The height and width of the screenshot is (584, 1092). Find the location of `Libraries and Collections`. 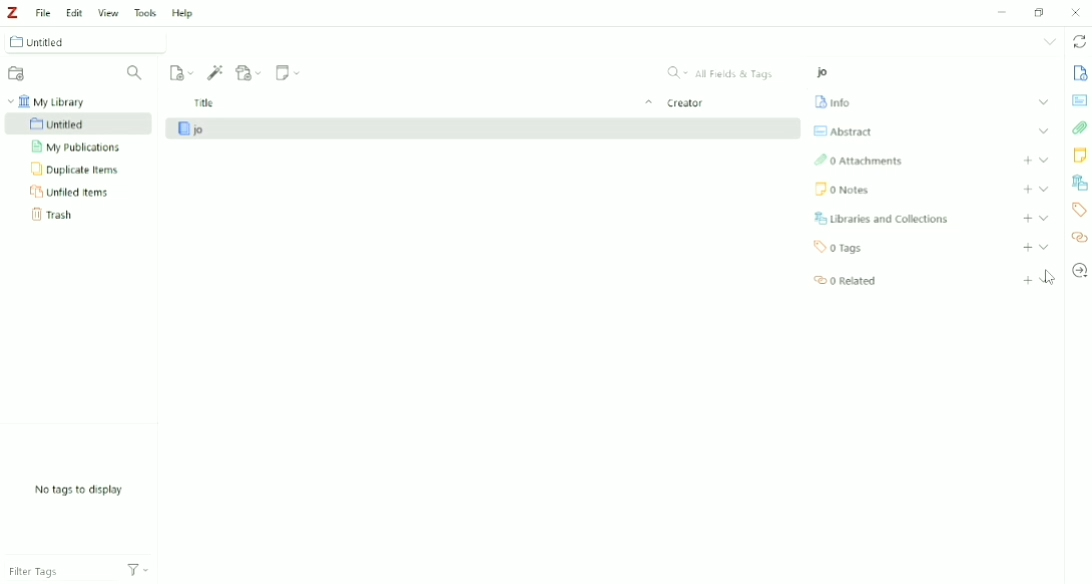

Libraries and Collections is located at coordinates (1079, 184).